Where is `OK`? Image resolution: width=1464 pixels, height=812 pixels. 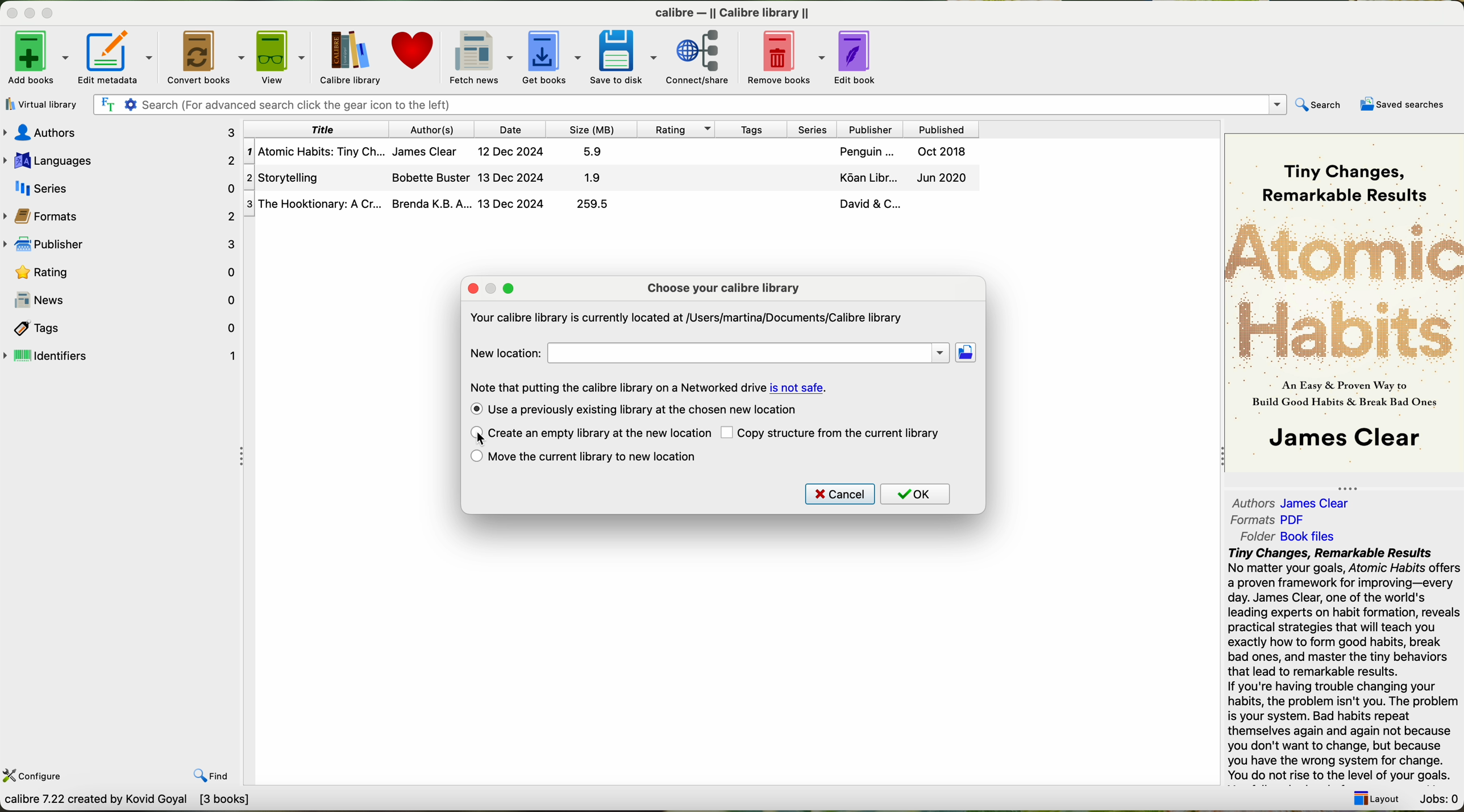 OK is located at coordinates (917, 495).